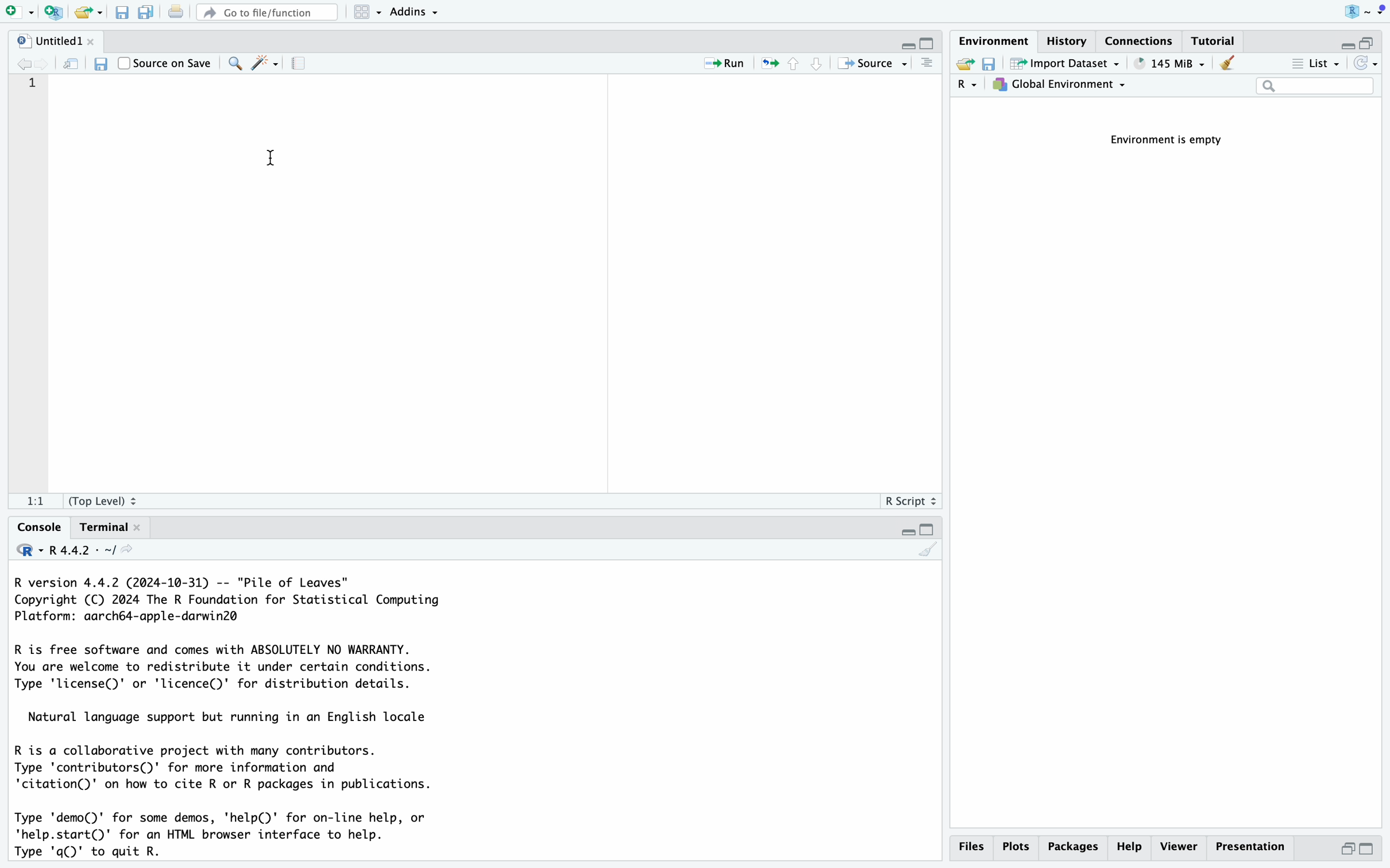  Describe the element at coordinates (266, 62) in the screenshot. I see `code tools` at that location.